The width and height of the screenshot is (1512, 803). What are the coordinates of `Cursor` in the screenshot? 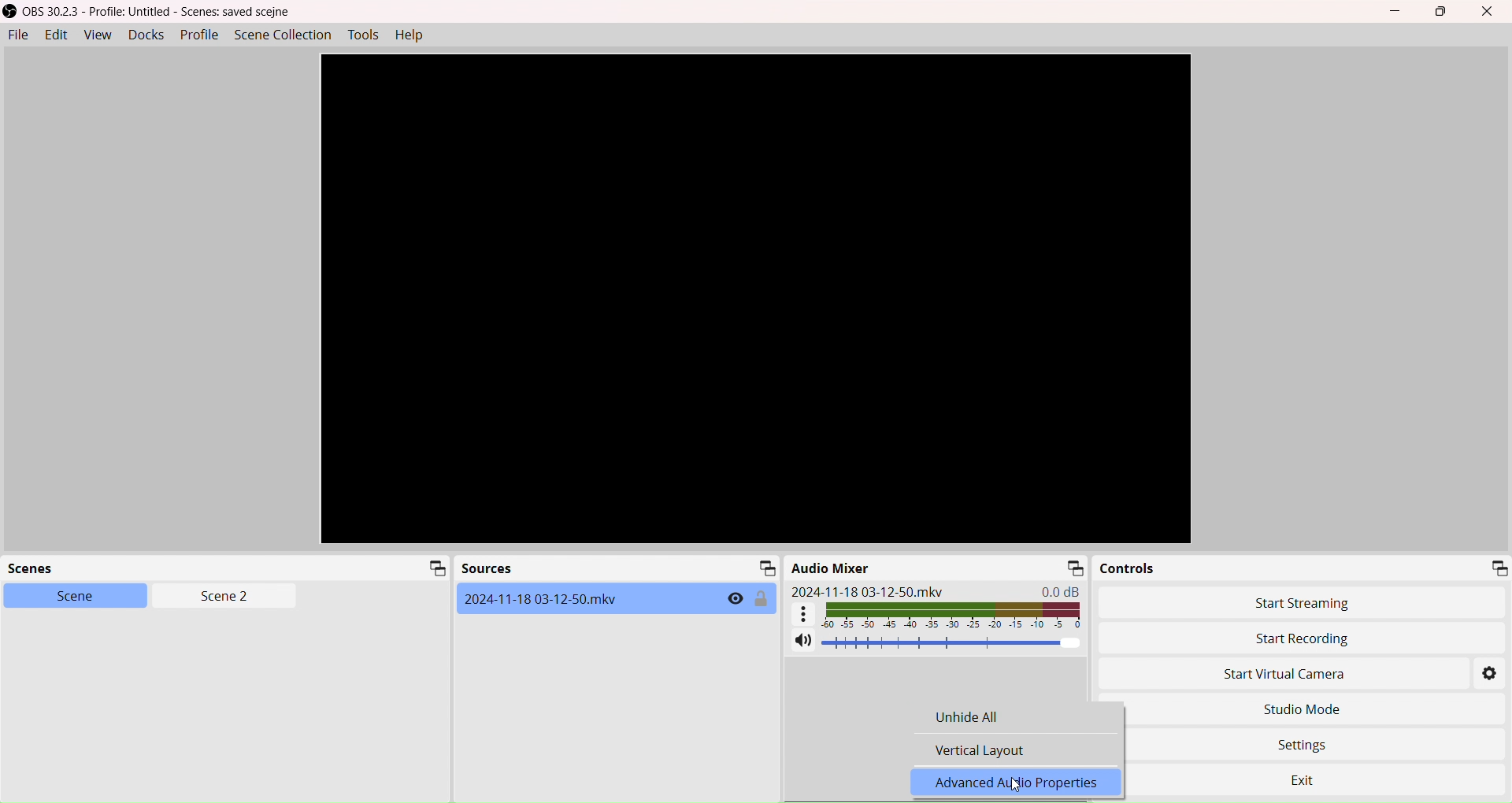 It's located at (1014, 789).